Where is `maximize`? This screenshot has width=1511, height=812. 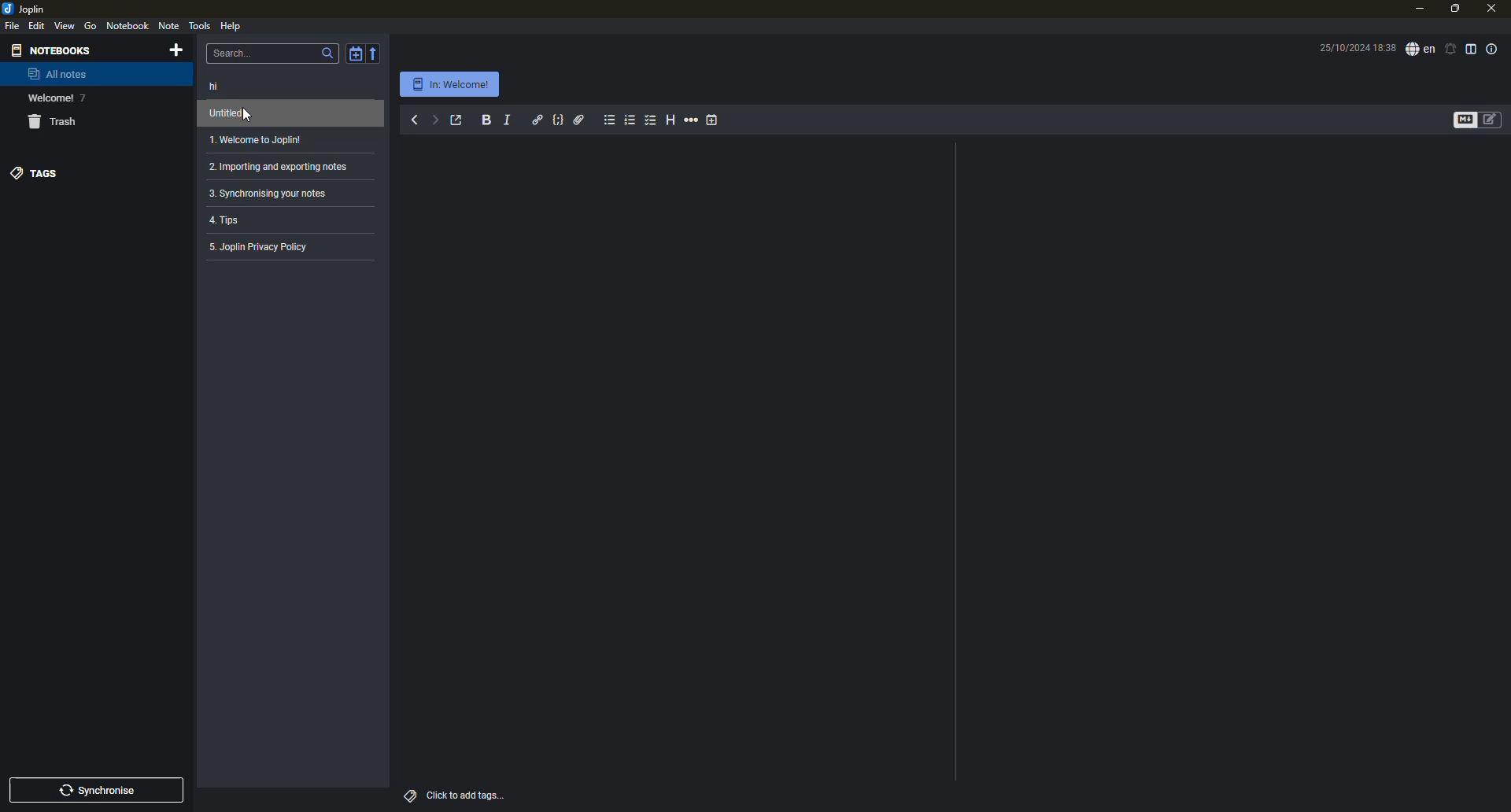
maximize is located at coordinates (1454, 9).